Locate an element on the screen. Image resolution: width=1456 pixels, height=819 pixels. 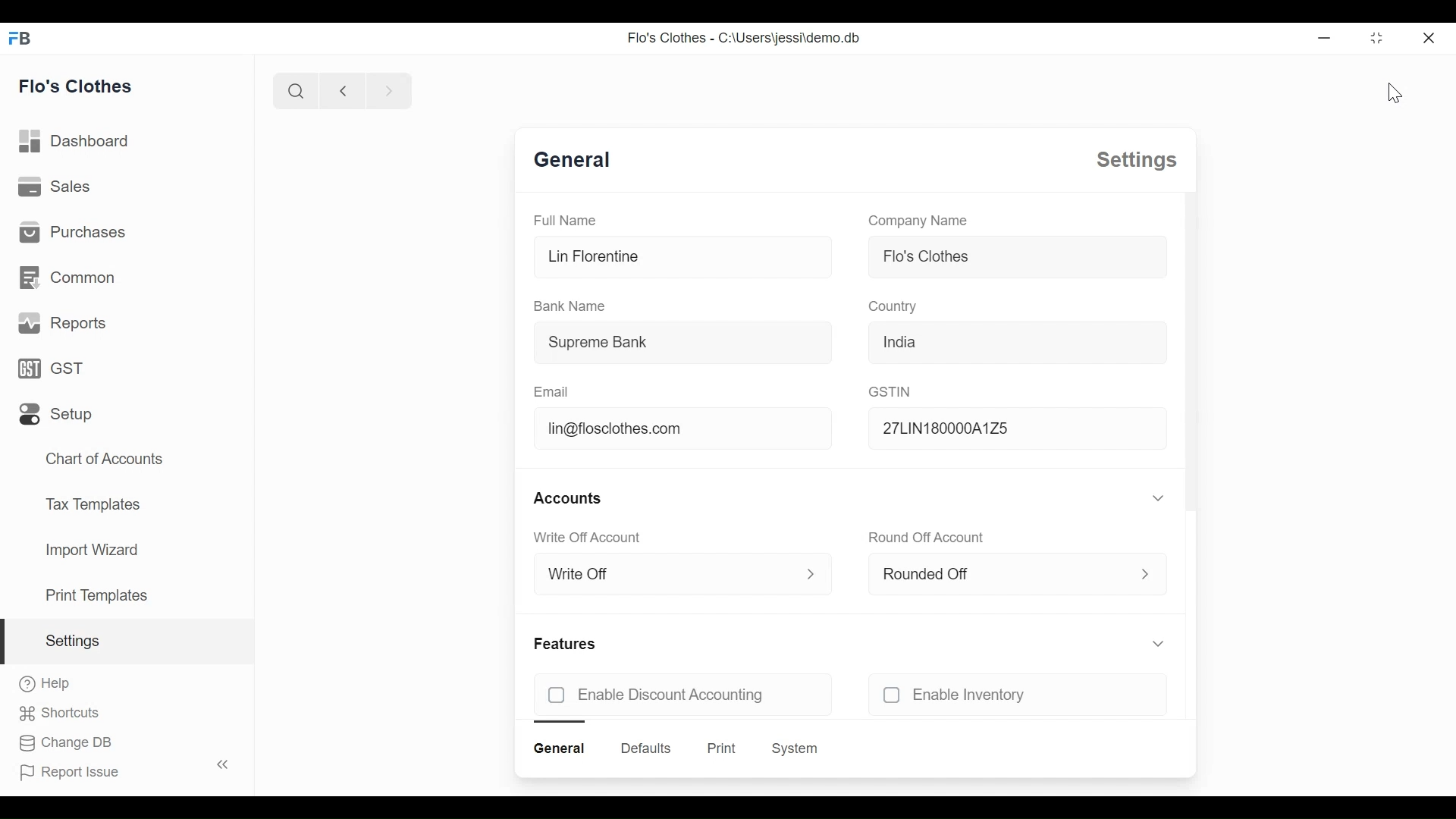
toggle sidebar is located at coordinates (224, 764).